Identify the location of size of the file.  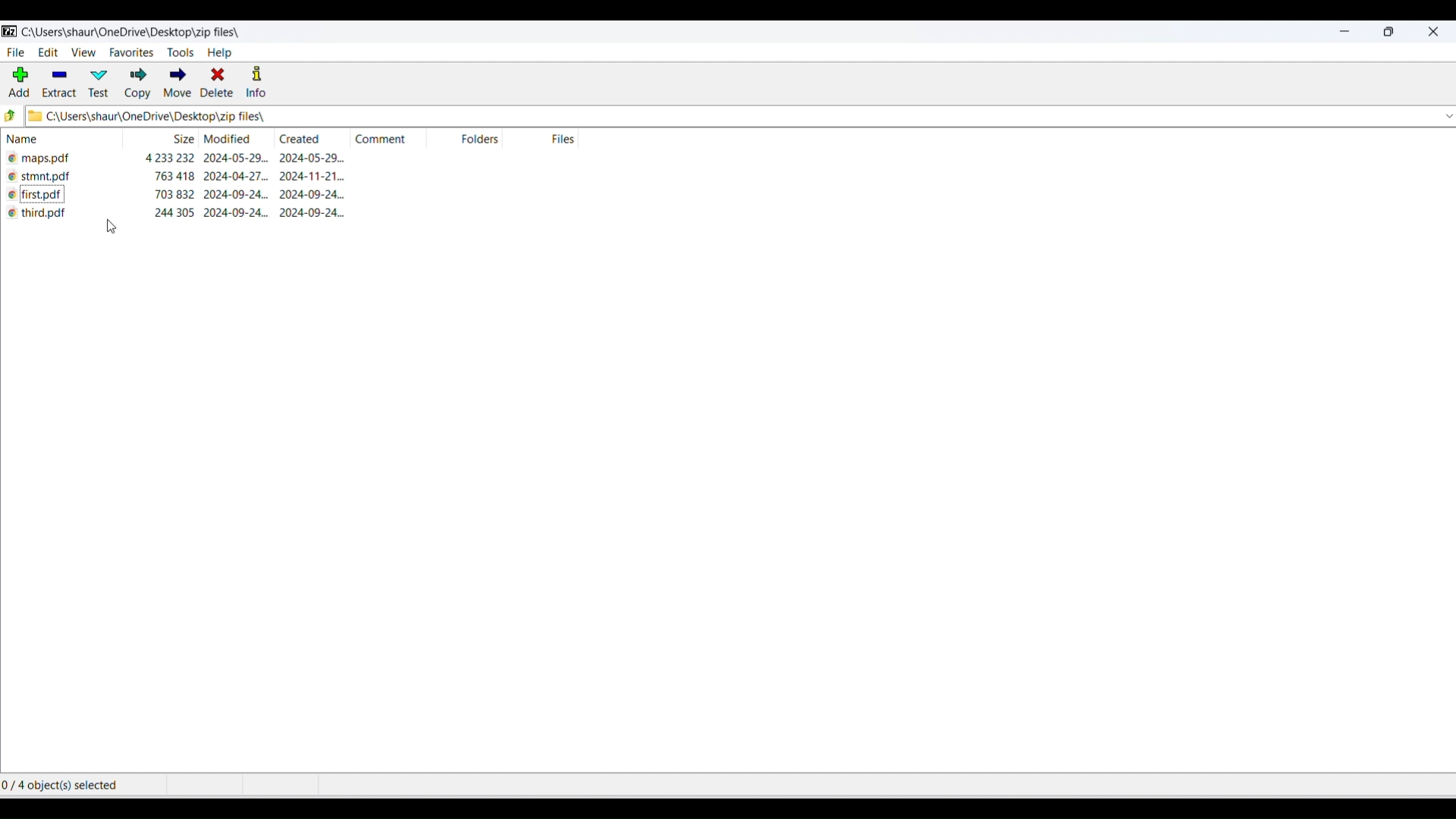
(174, 175).